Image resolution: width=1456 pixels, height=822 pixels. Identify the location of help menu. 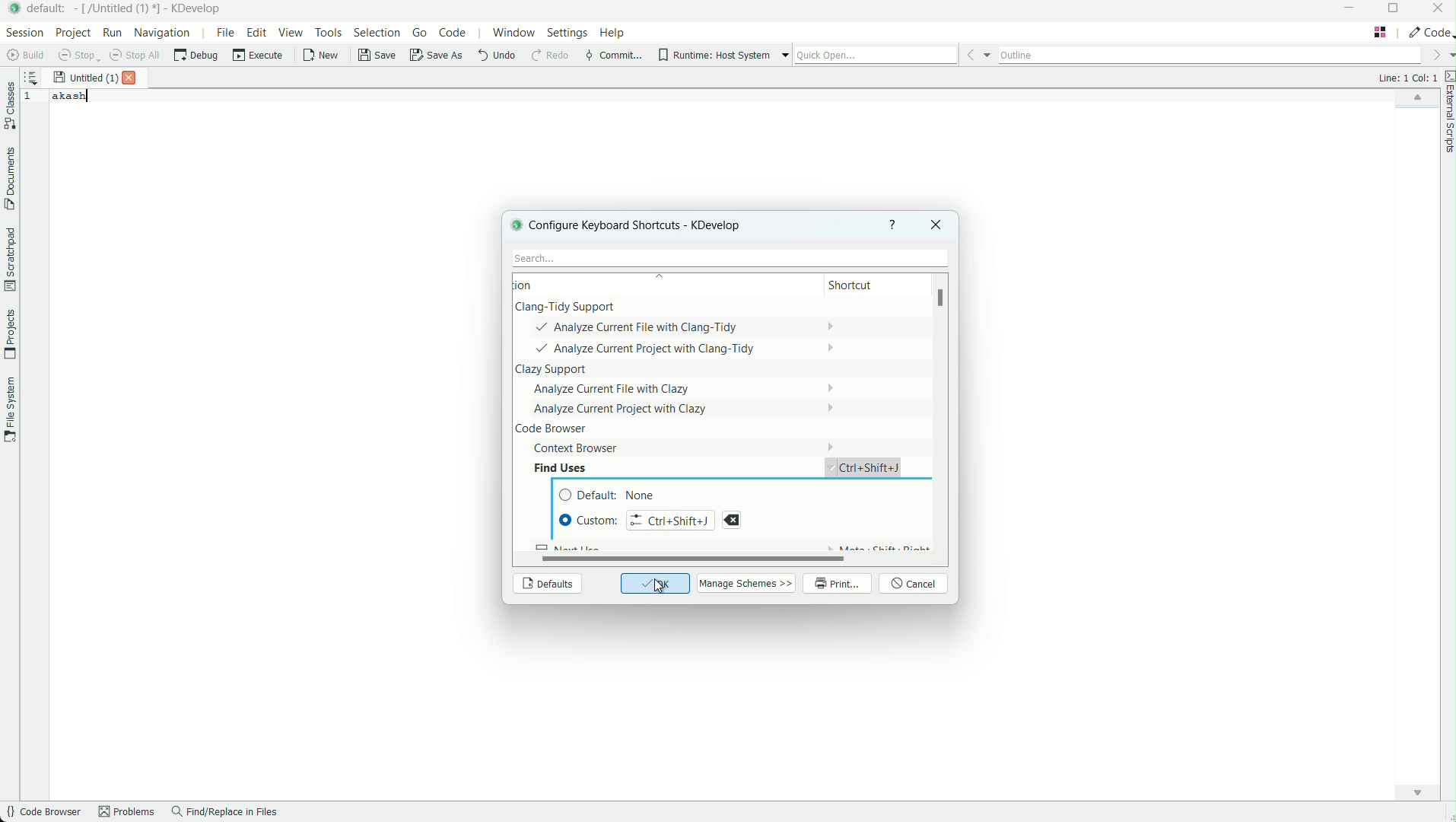
(614, 34).